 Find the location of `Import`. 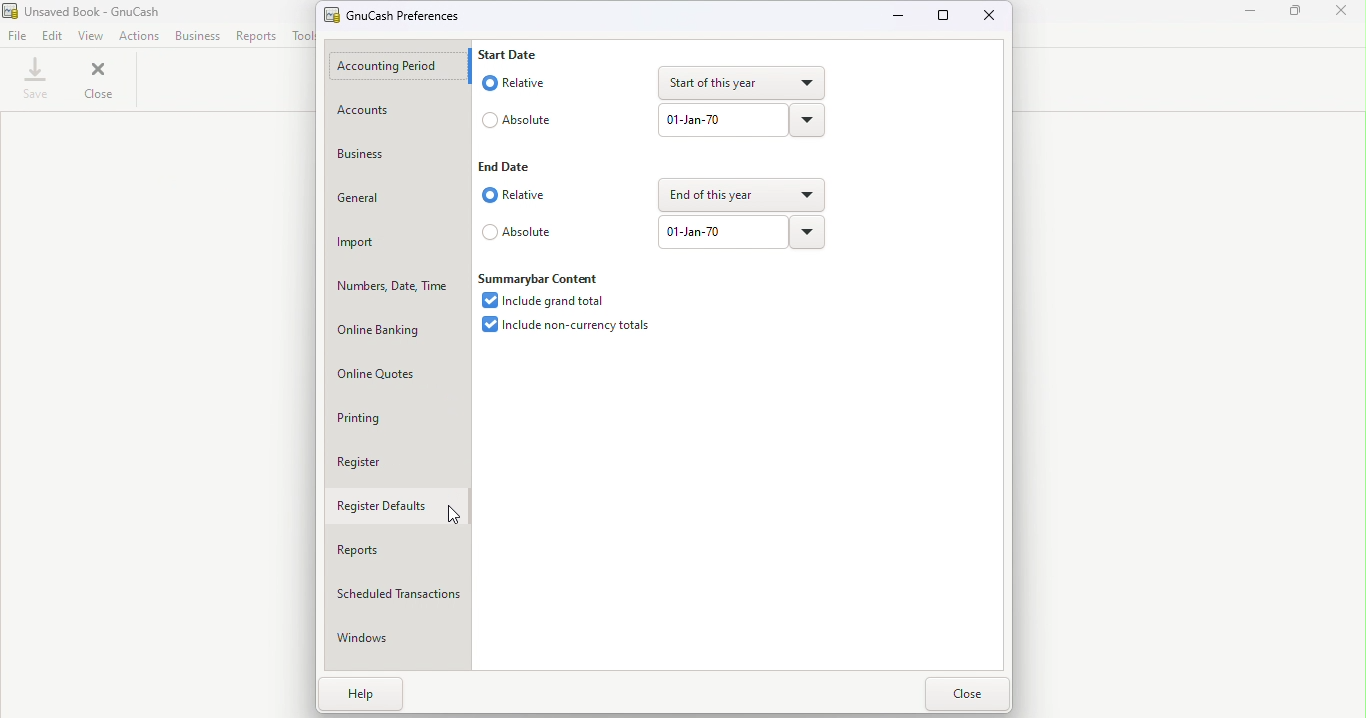

Import is located at coordinates (396, 244).